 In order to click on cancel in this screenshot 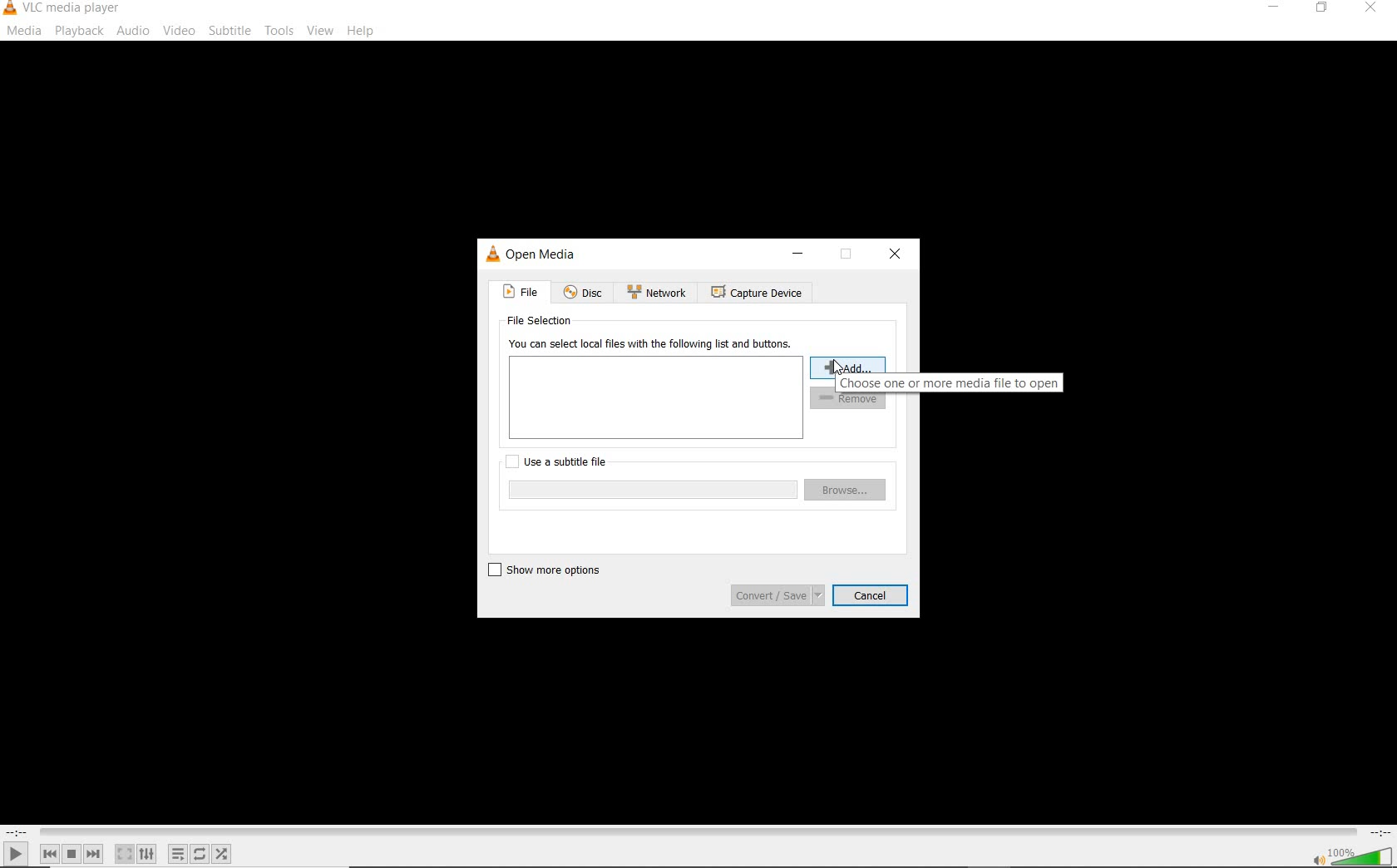, I will do `click(871, 594)`.